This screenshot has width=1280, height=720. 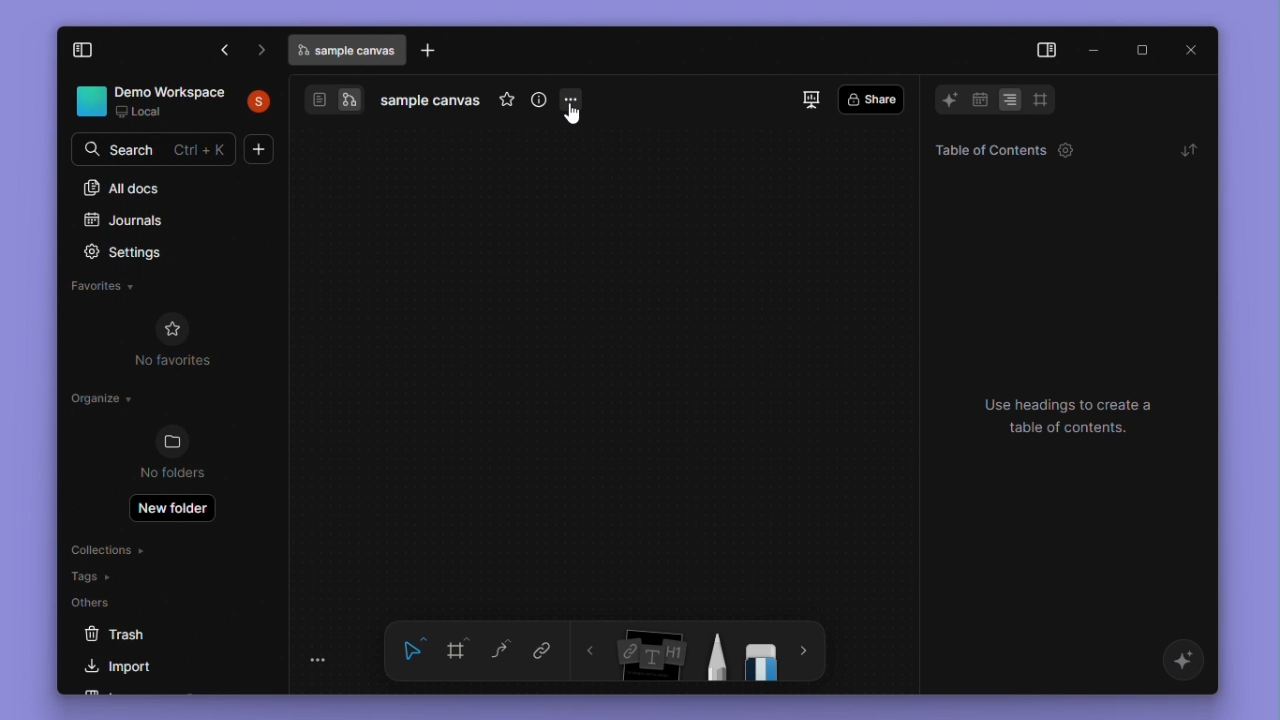 What do you see at coordinates (413, 653) in the screenshot?
I see `select tool` at bounding box center [413, 653].